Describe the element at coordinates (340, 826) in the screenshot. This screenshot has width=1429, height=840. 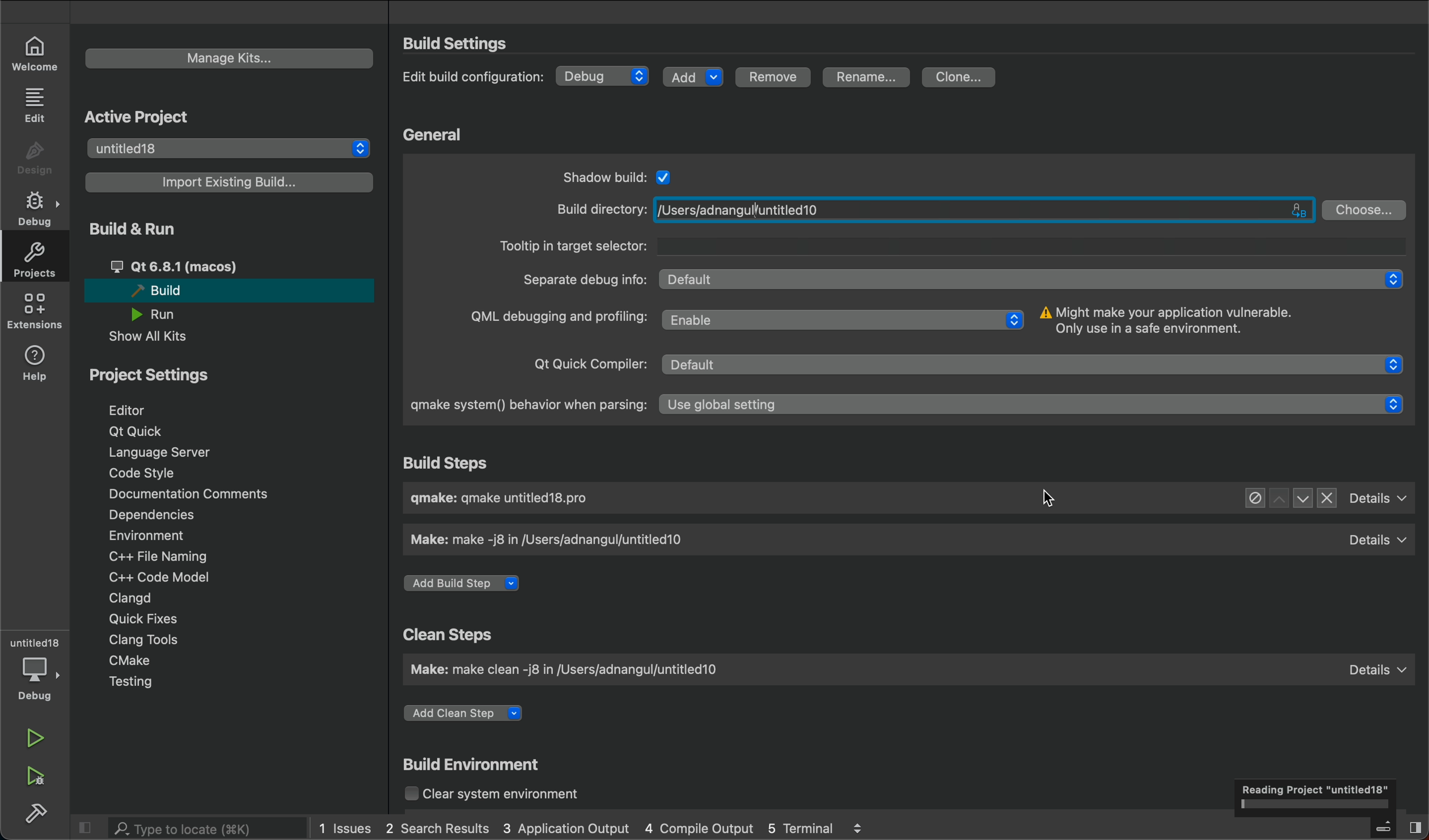
I see `1 Issues` at that location.